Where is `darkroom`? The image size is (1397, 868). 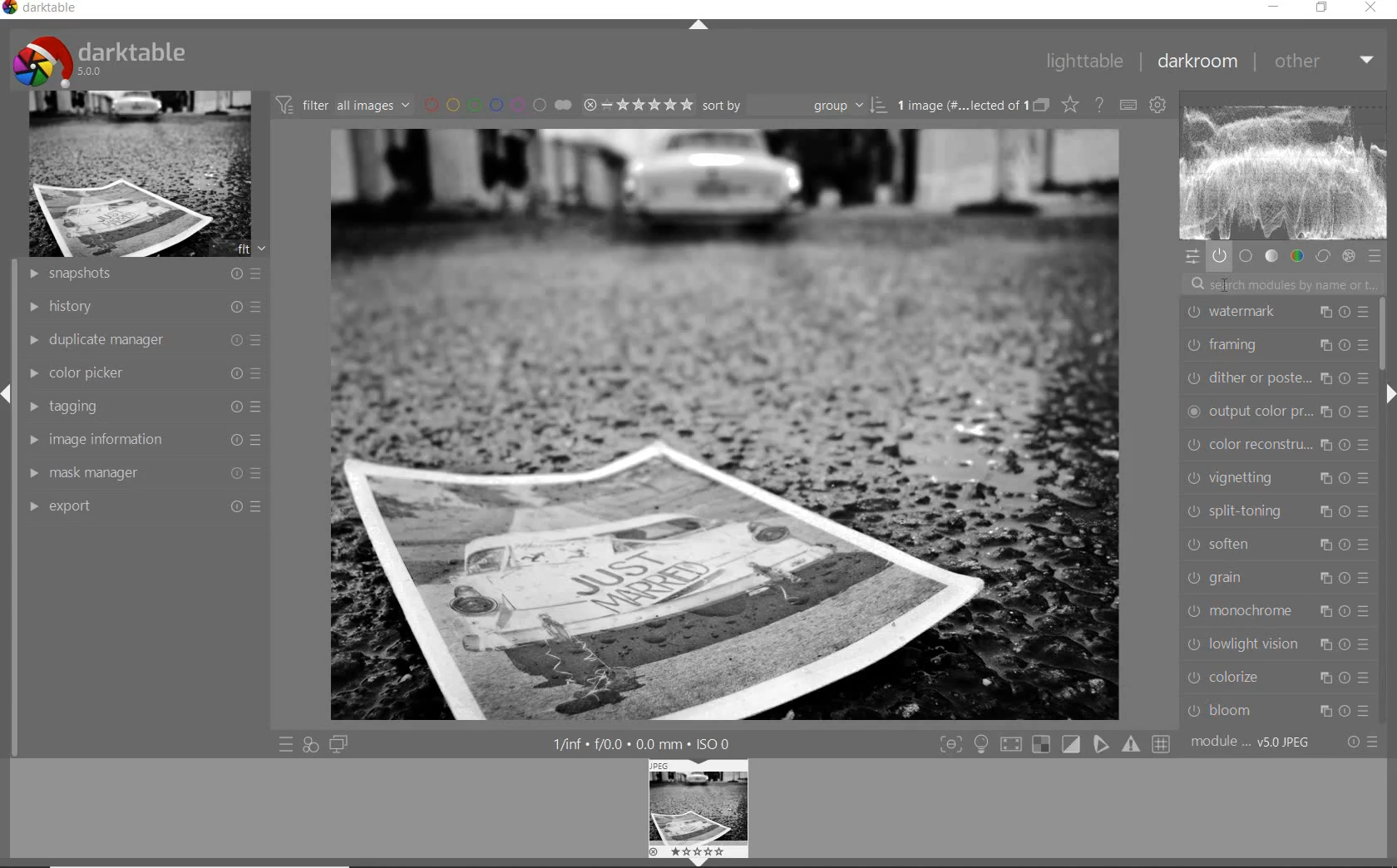
darkroom is located at coordinates (1196, 59).